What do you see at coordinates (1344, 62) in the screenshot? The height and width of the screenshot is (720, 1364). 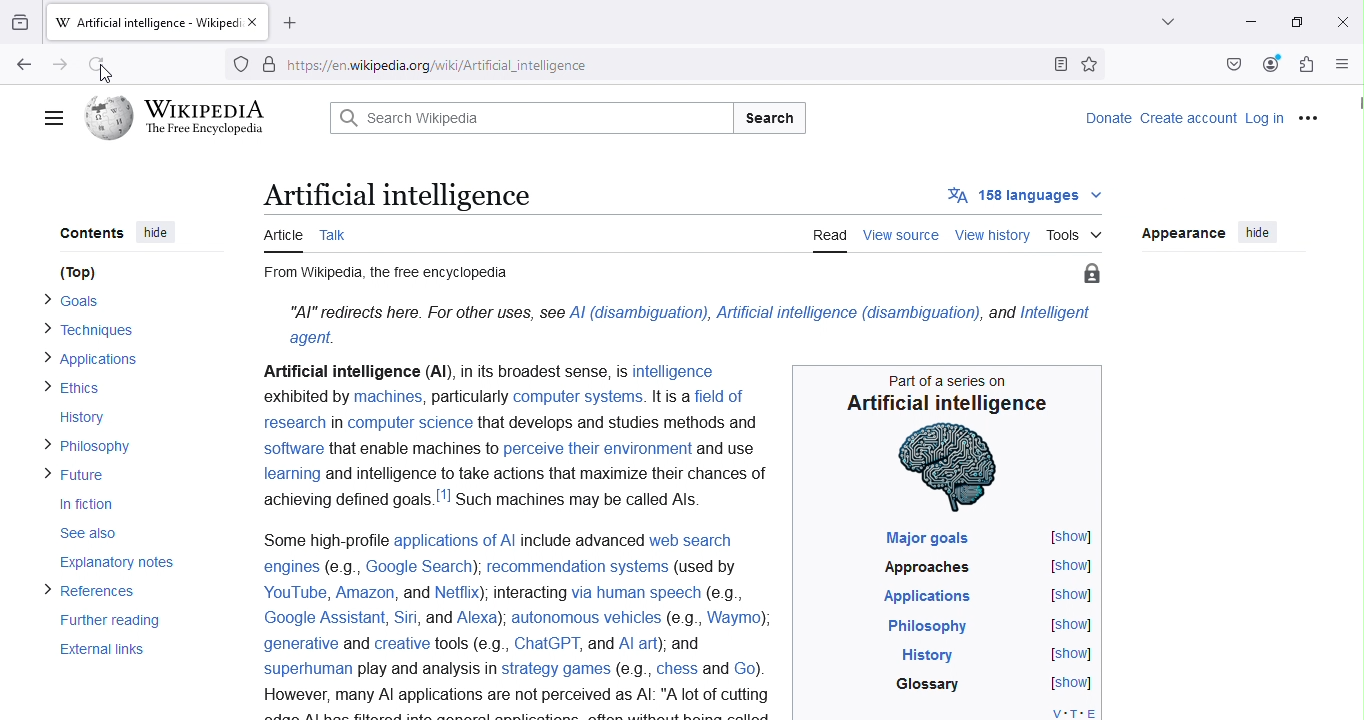 I see `Open application menu` at bounding box center [1344, 62].